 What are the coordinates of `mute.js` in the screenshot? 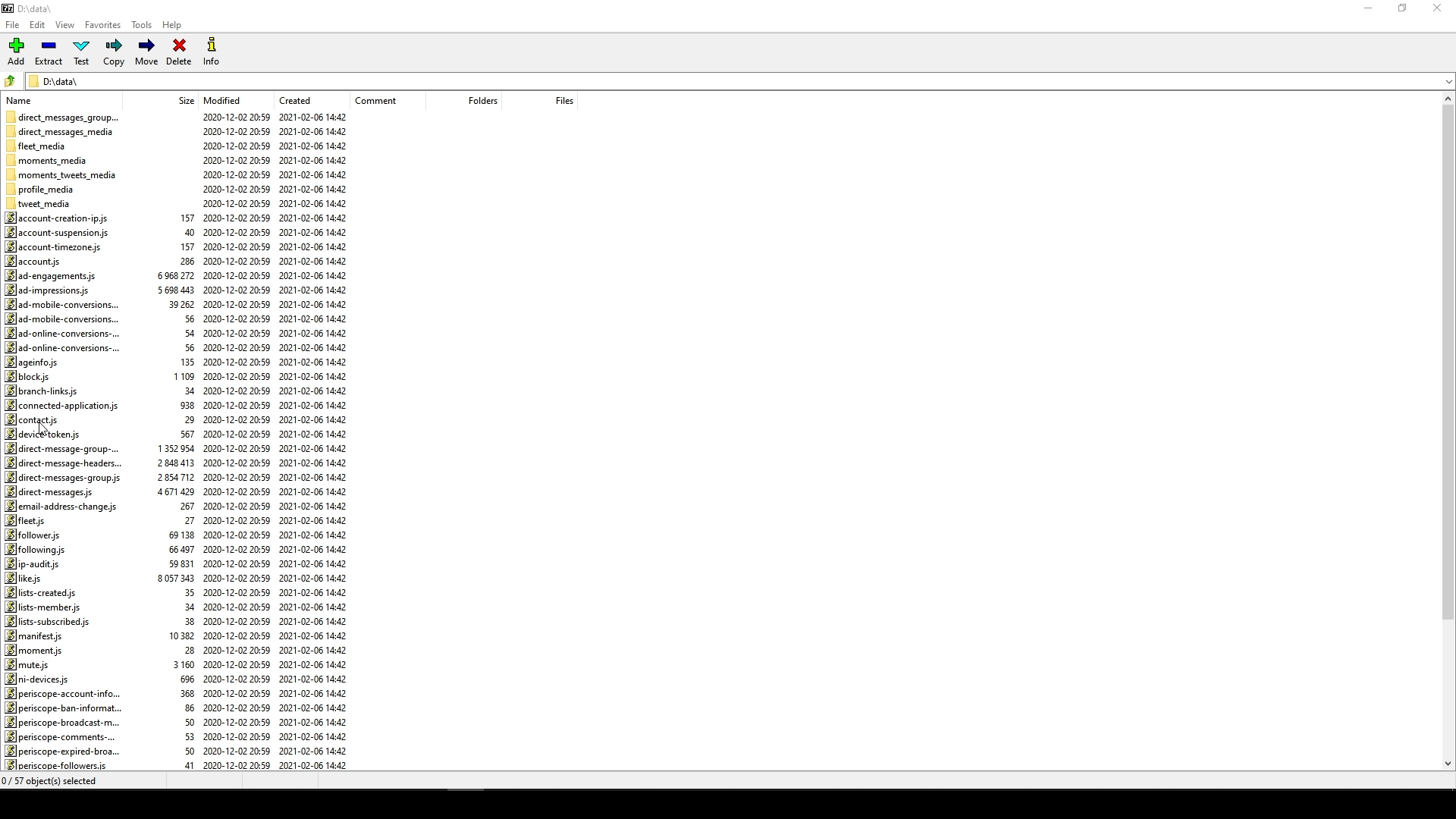 It's located at (28, 664).